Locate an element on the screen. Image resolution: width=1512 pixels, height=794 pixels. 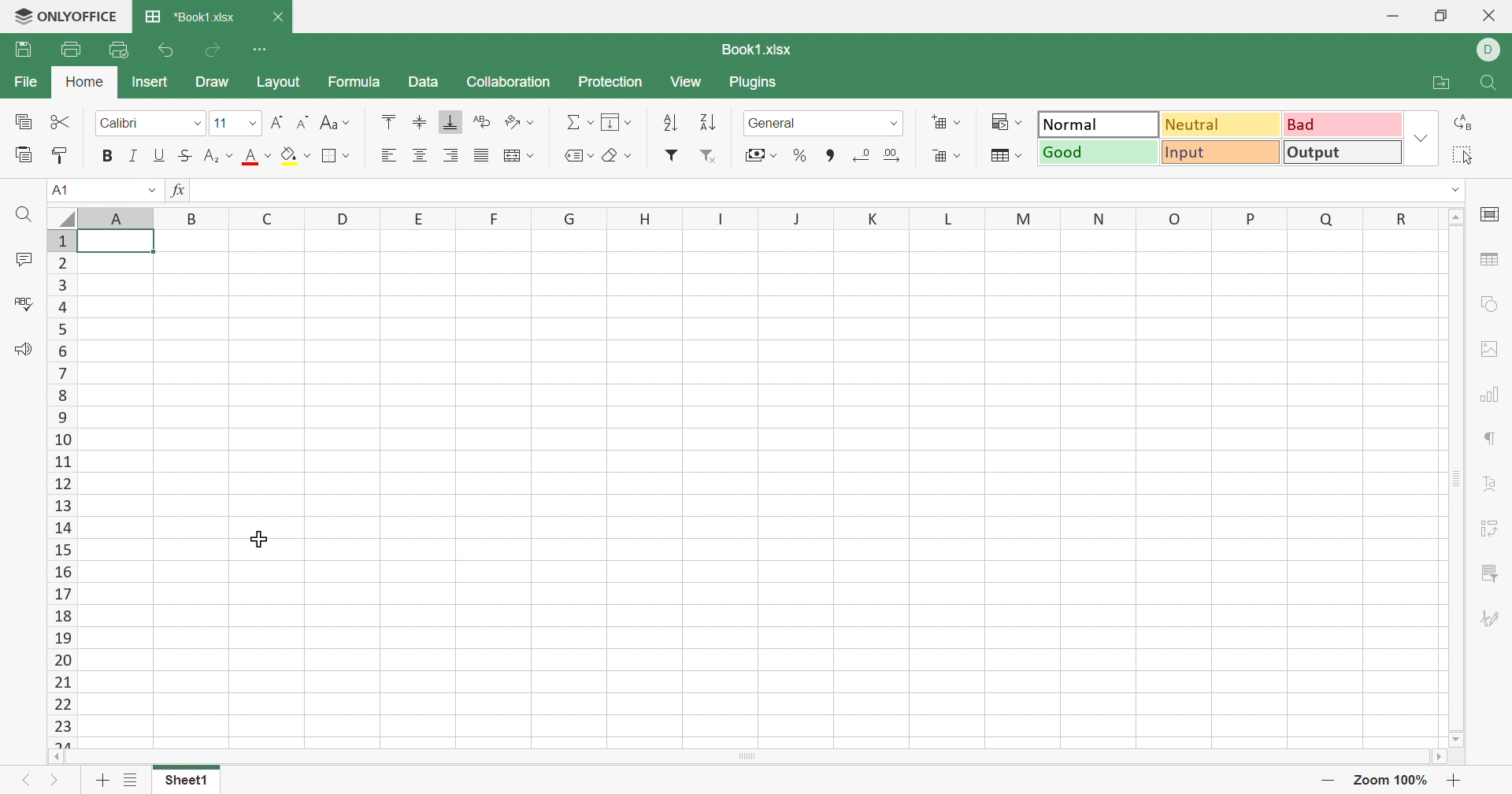
Redo is located at coordinates (215, 51).